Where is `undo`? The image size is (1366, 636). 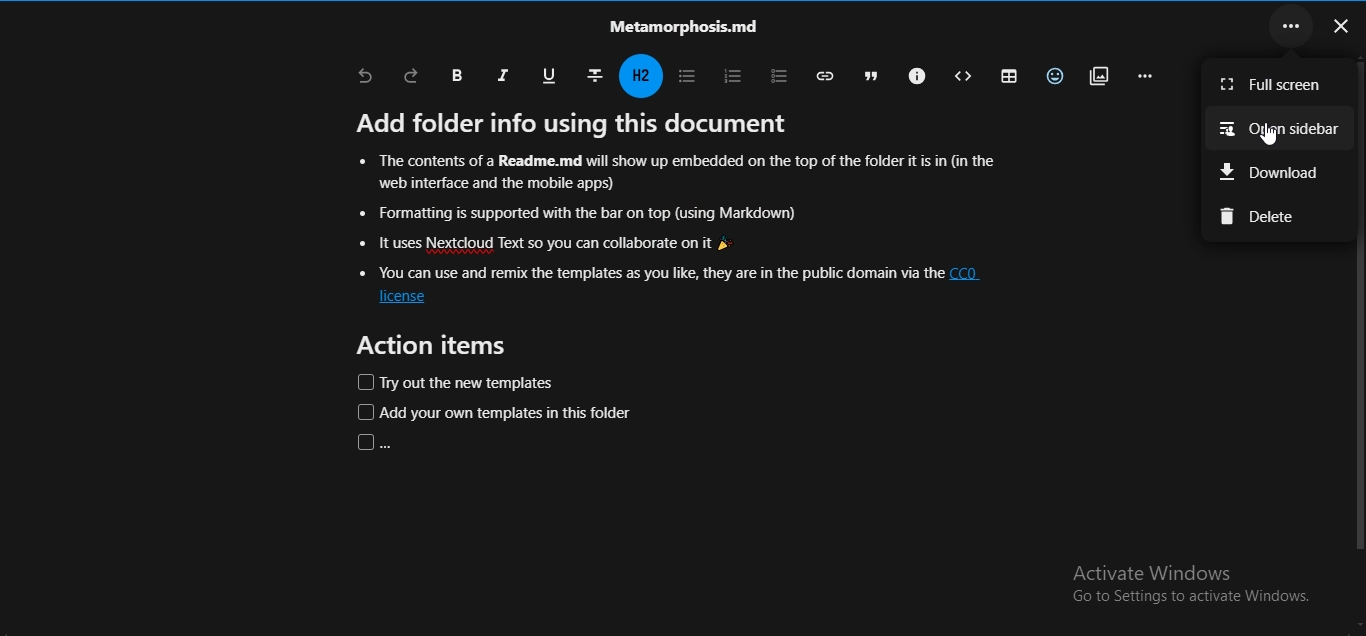 undo is located at coordinates (367, 76).